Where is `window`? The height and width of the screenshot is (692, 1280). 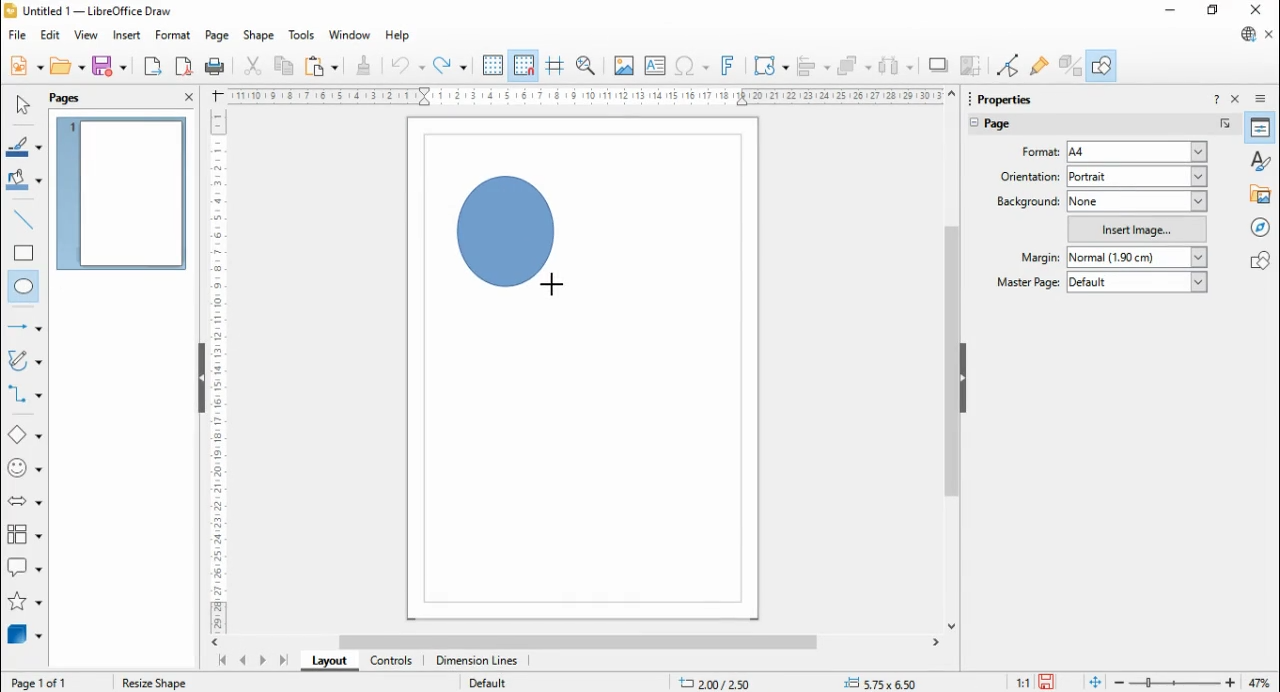 window is located at coordinates (350, 35).